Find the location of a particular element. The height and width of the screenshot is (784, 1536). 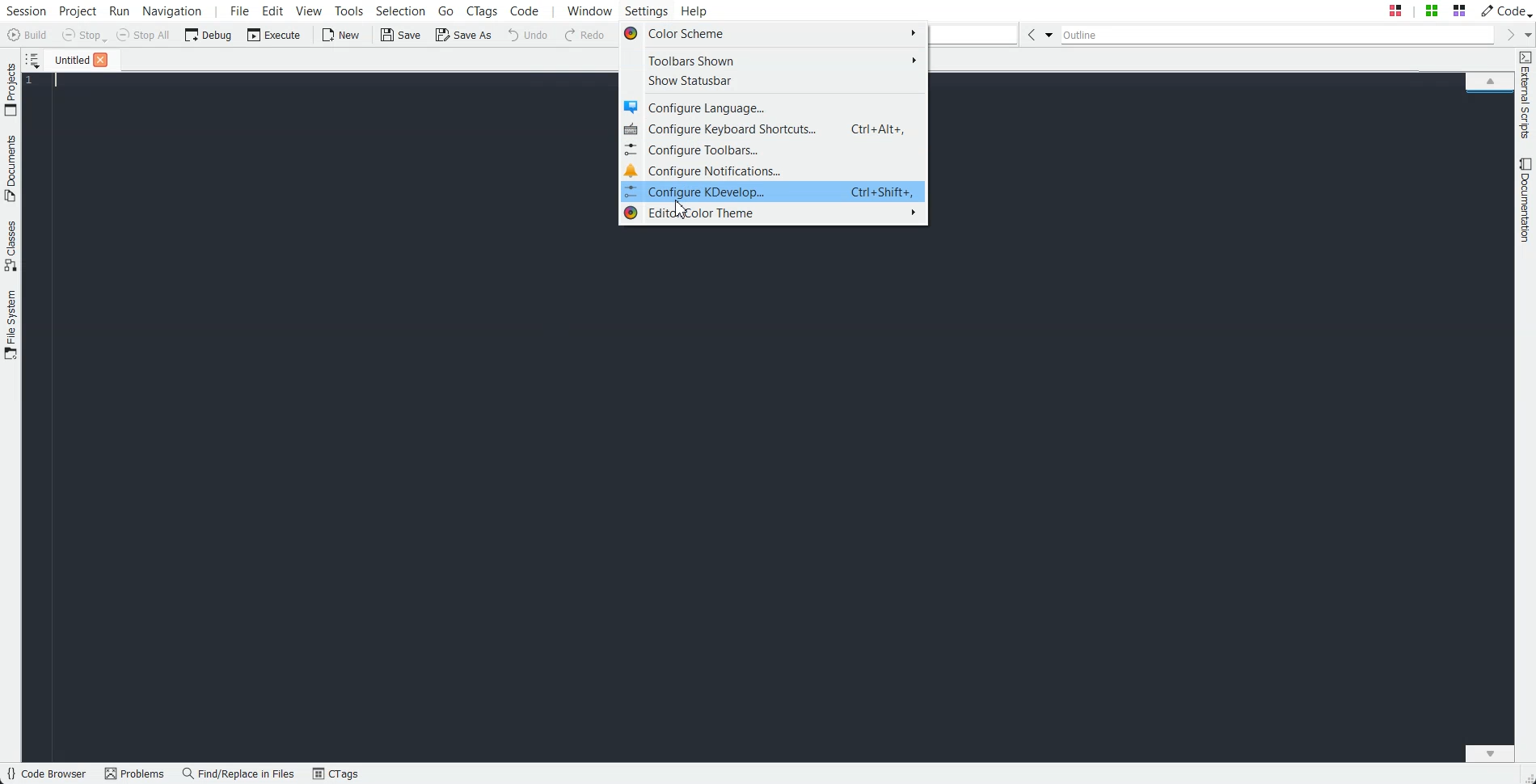

Editor Color Theme is located at coordinates (773, 214).